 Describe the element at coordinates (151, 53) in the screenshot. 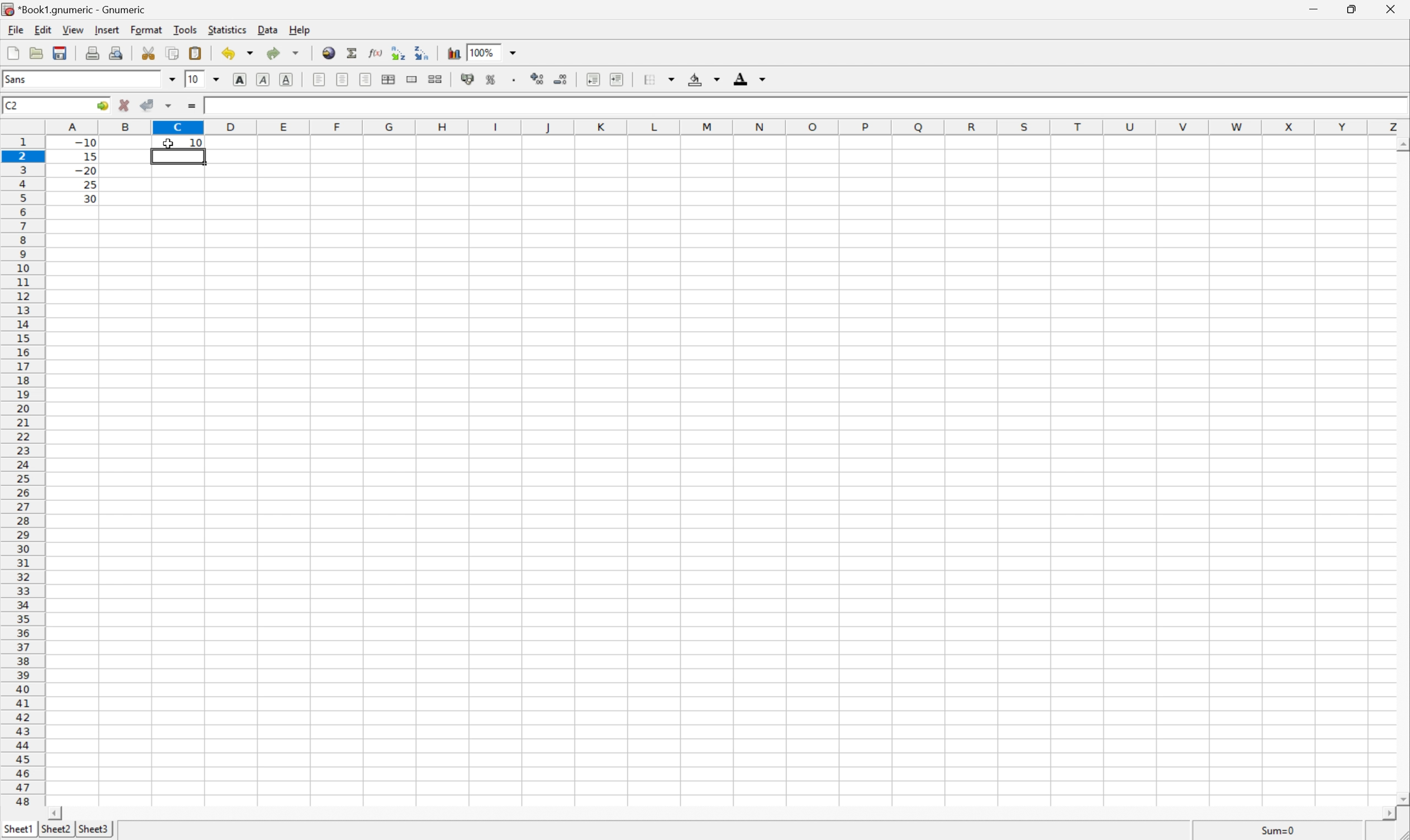

I see `Cut the selection` at that location.